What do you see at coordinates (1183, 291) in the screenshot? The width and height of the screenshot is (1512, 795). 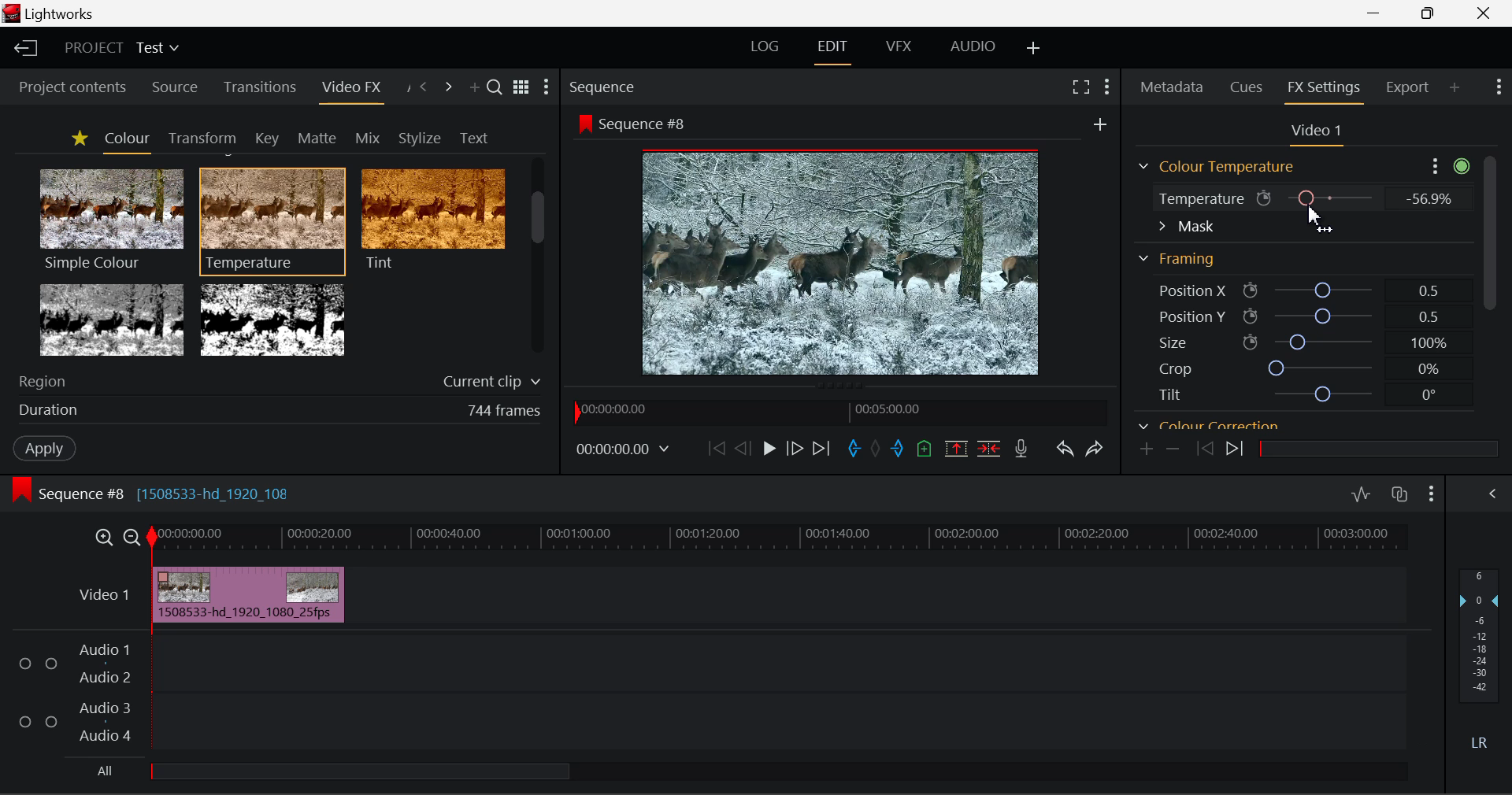 I see `Position X` at bounding box center [1183, 291].